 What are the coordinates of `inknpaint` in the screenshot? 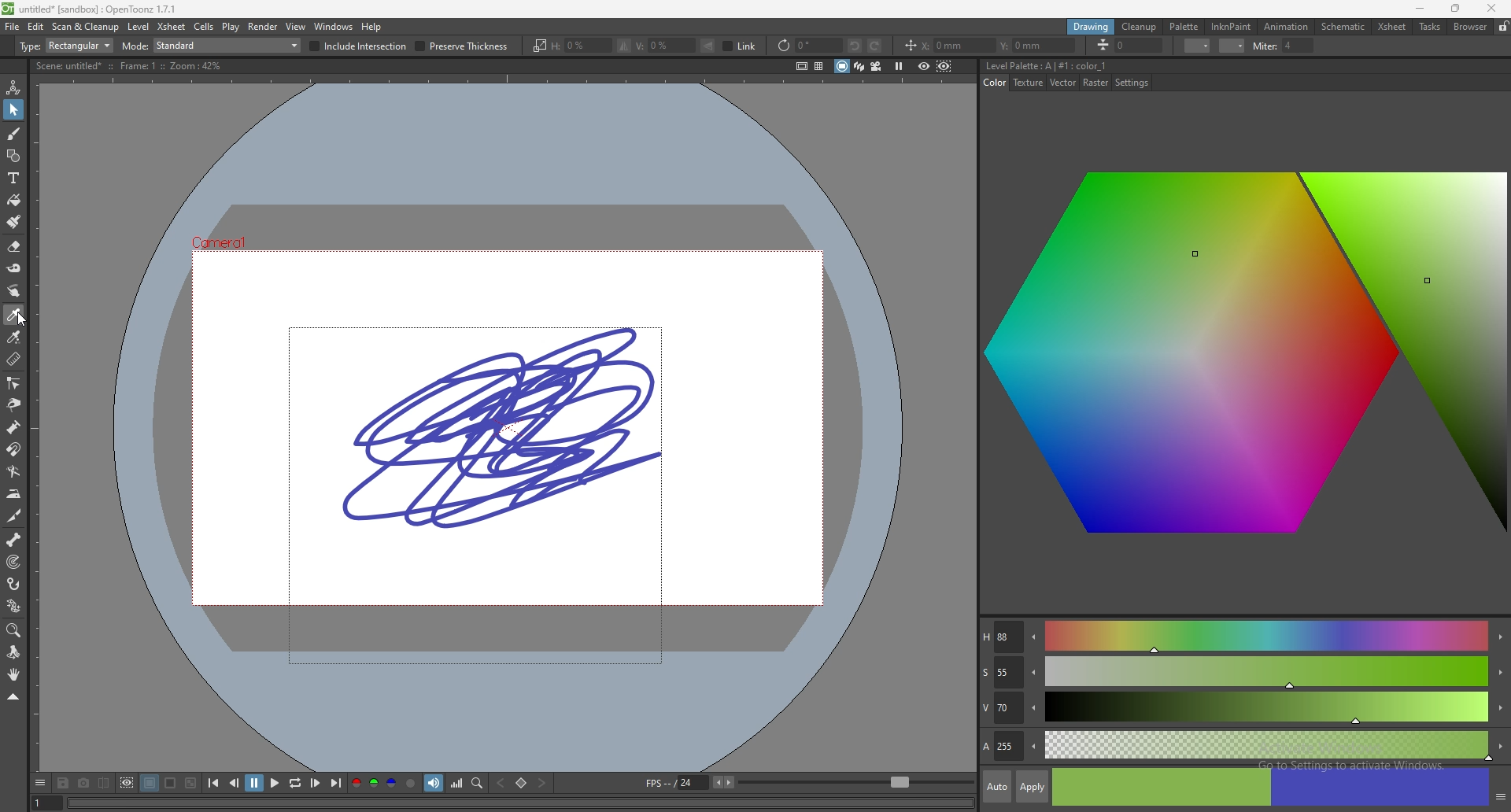 It's located at (1232, 26).